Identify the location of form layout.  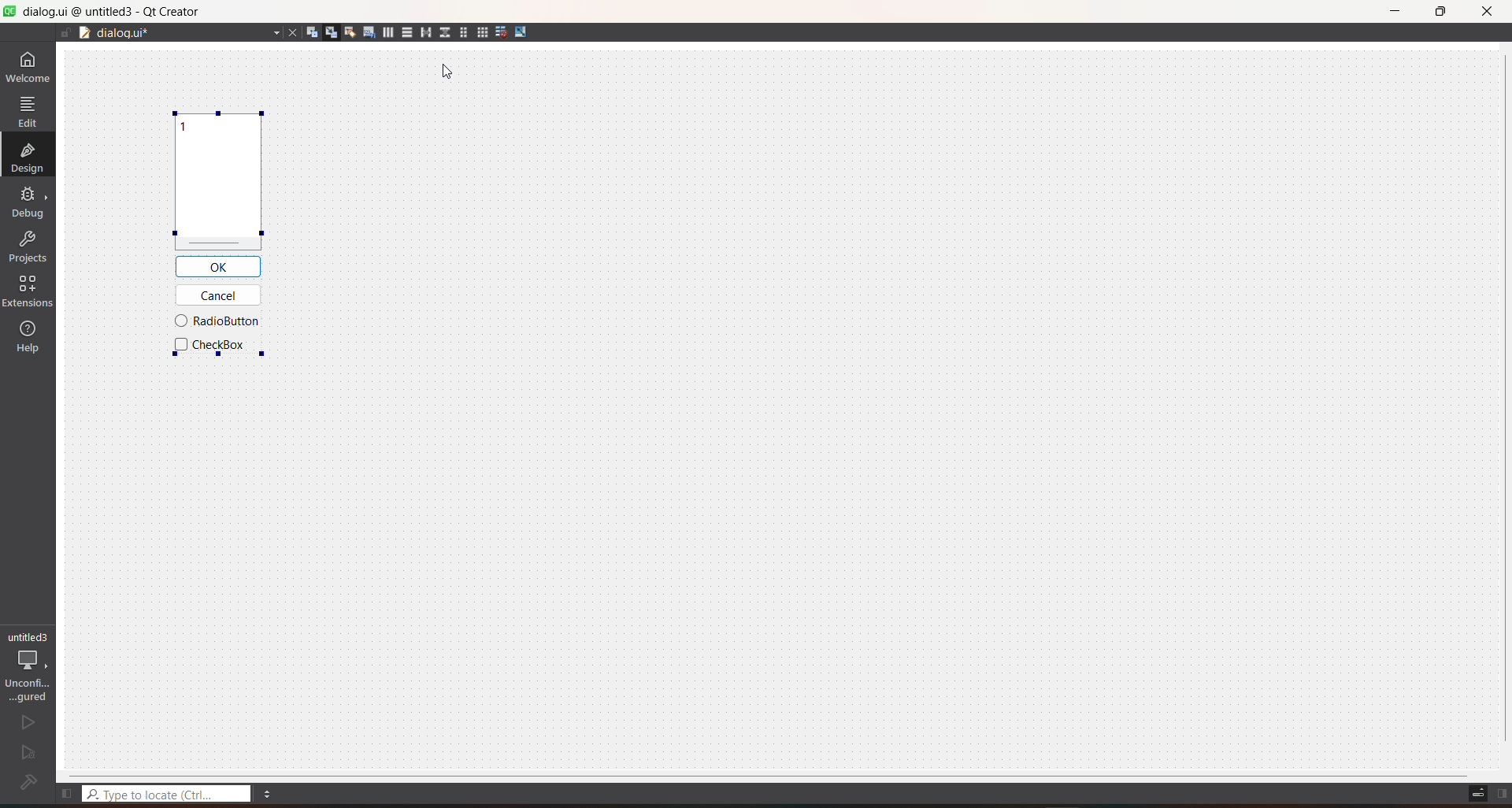
(462, 33).